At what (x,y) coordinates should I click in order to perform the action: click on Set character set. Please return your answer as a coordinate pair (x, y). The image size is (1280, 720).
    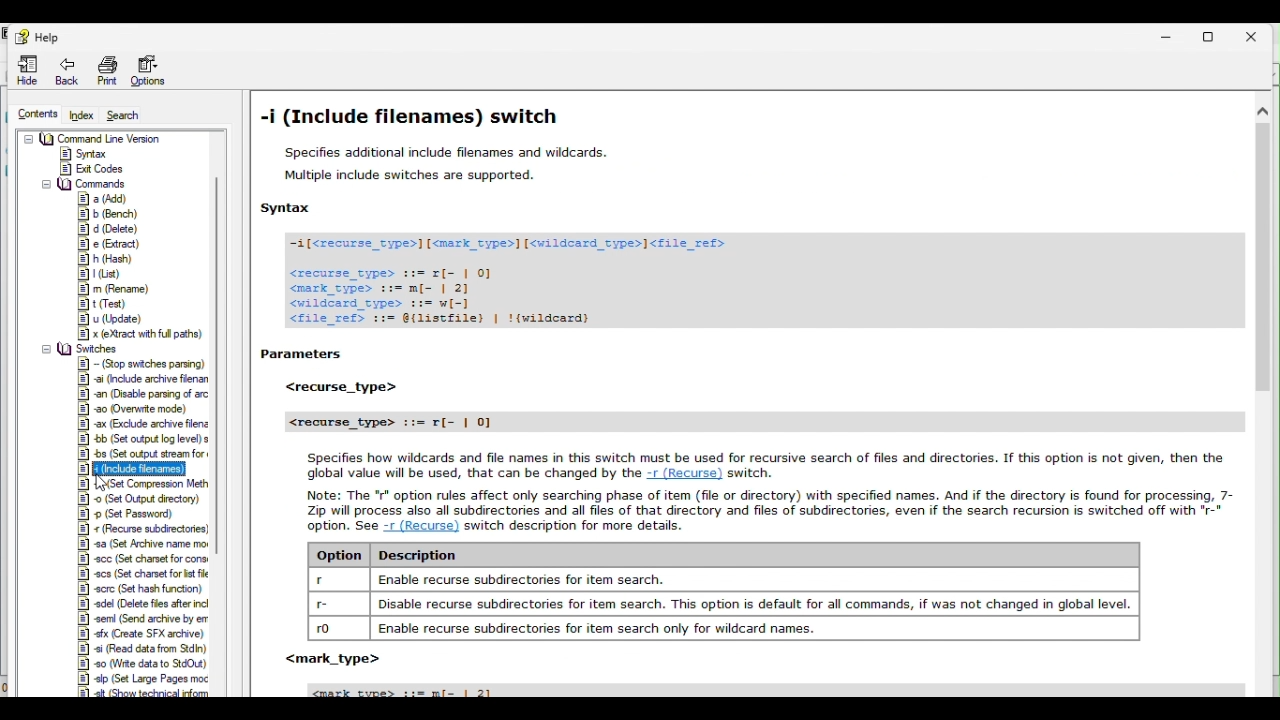
    Looking at the image, I should click on (144, 558).